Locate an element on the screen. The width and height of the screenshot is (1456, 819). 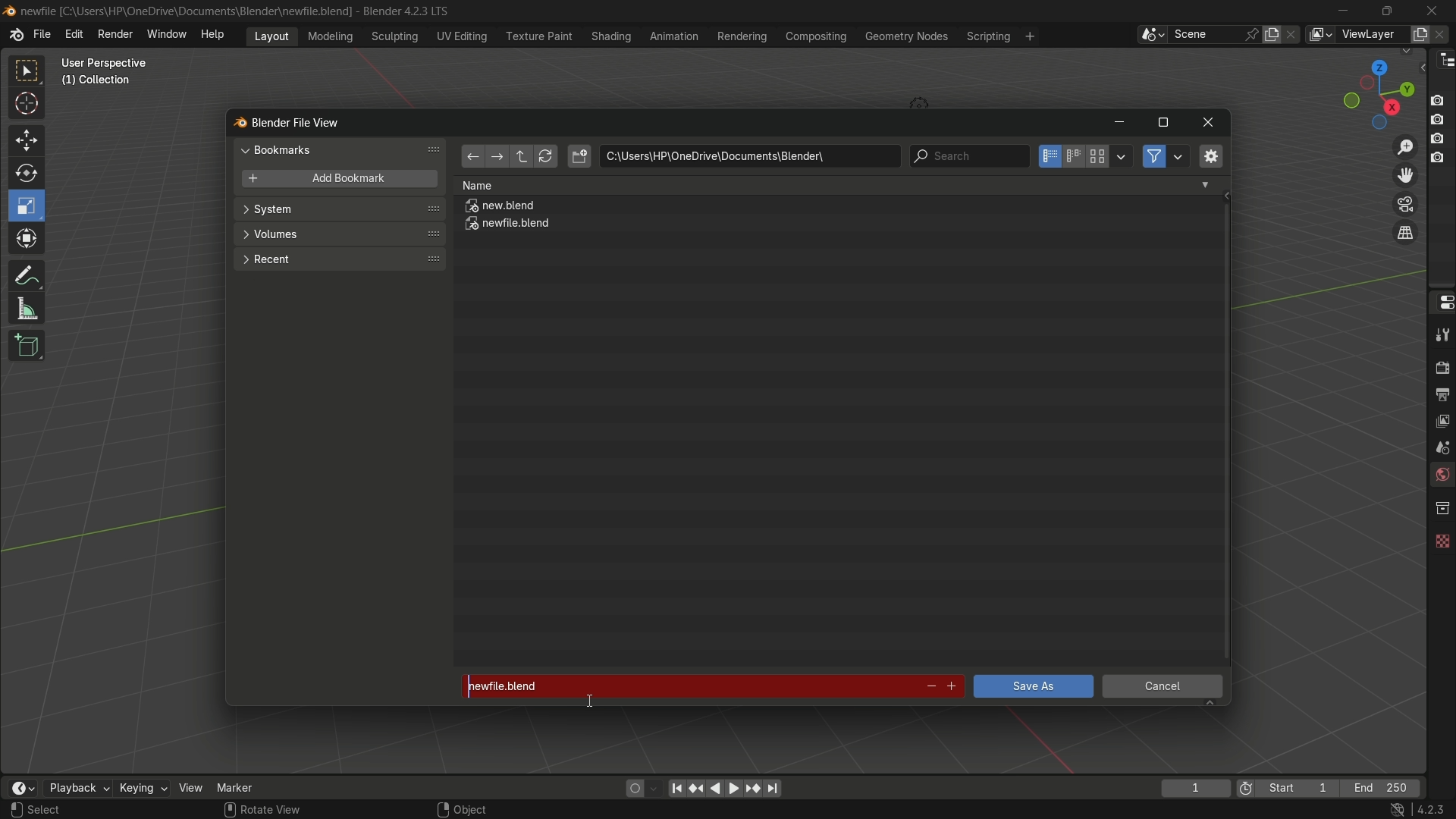
texture paint menu is located at coordinates (538, 35).